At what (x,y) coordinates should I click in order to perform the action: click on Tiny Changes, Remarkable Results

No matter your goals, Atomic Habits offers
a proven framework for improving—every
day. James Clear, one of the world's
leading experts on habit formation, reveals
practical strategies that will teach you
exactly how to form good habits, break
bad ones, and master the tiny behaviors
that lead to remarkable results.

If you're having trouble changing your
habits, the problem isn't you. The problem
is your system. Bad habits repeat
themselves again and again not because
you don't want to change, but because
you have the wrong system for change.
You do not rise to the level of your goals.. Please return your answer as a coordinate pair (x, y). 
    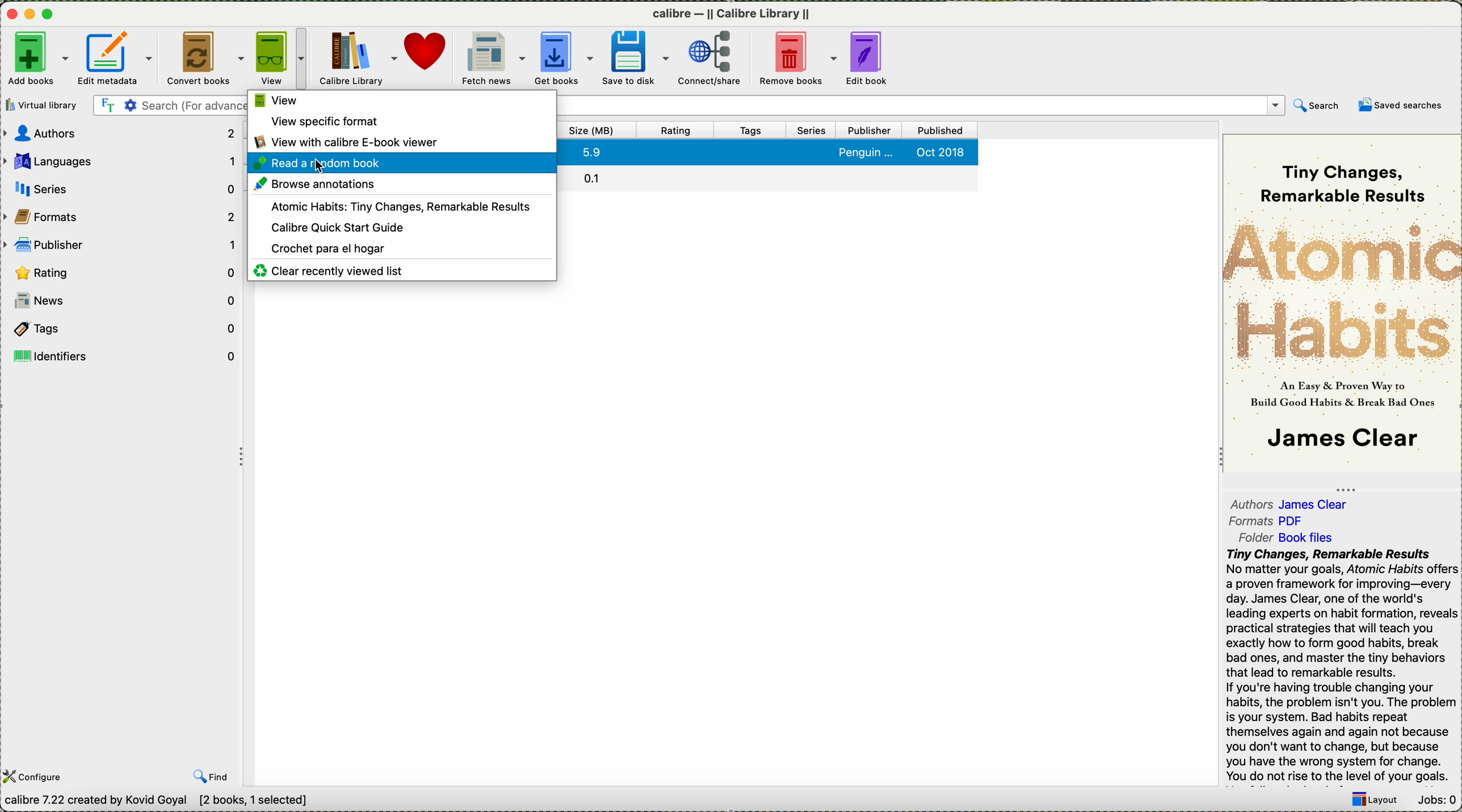
    Looking at the image, I should click on (1337, 664).